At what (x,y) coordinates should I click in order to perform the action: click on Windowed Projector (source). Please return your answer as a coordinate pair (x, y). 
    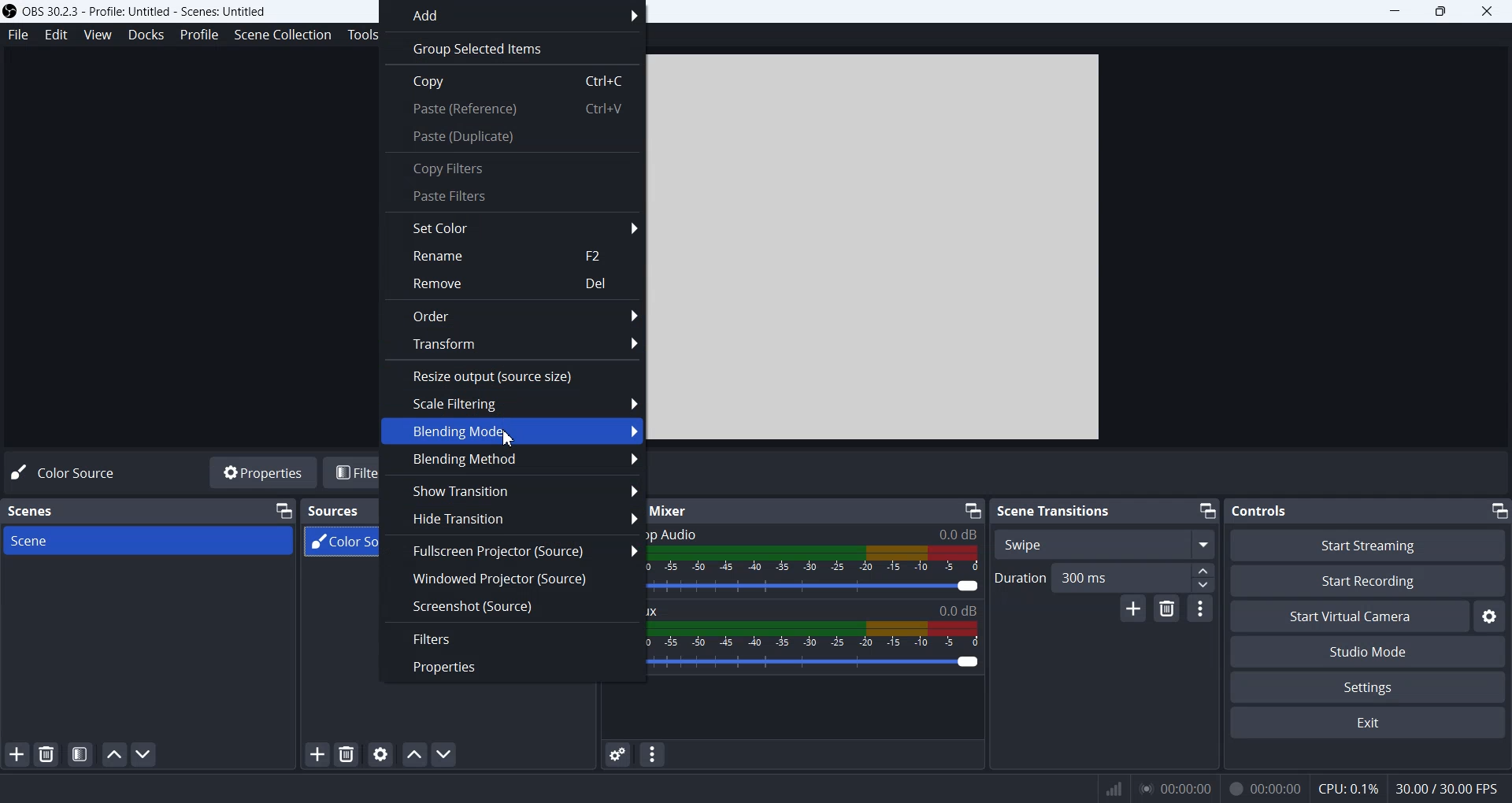
    Looking at the image, I should click on (513, 577).